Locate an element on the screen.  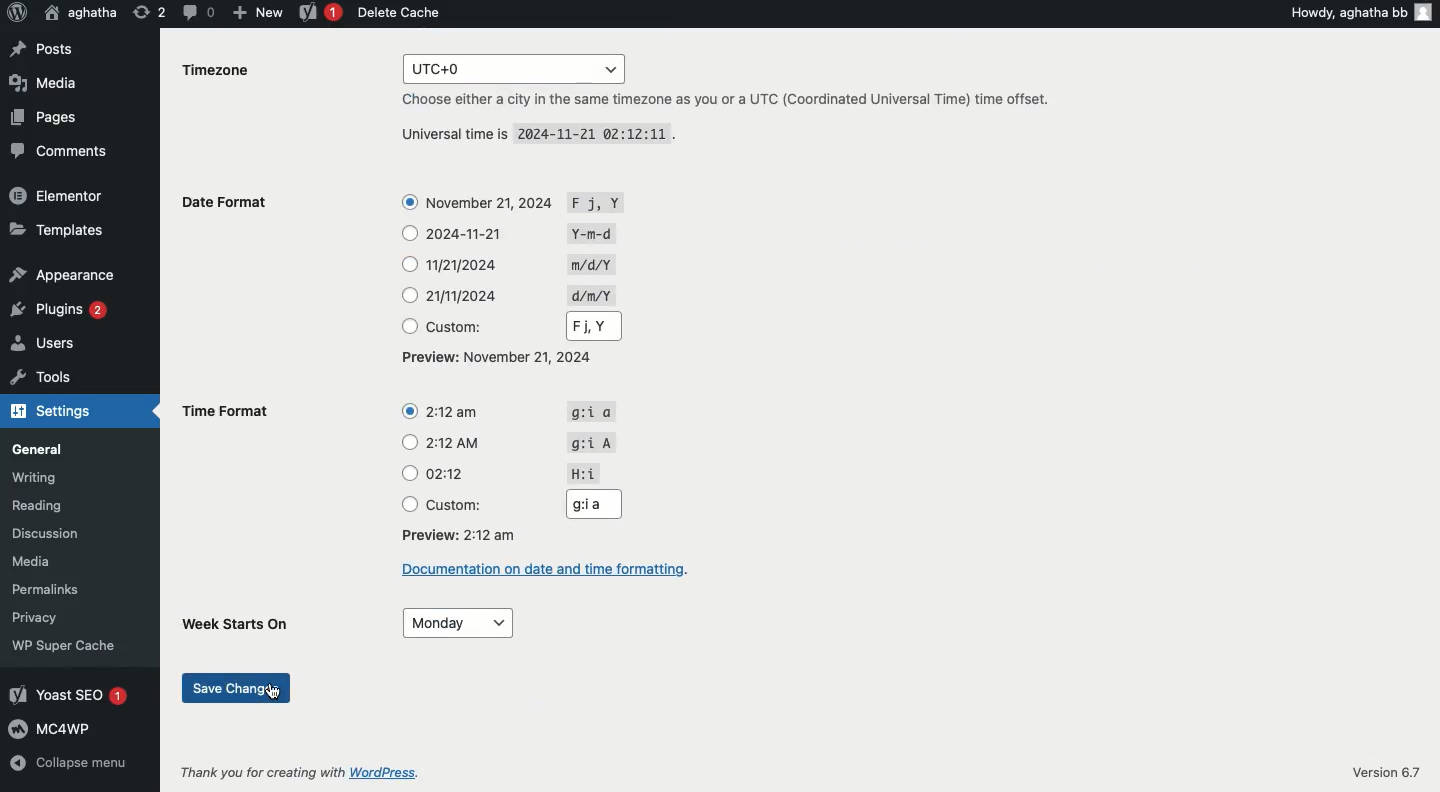
Comment is located at coordinates (195, 12).